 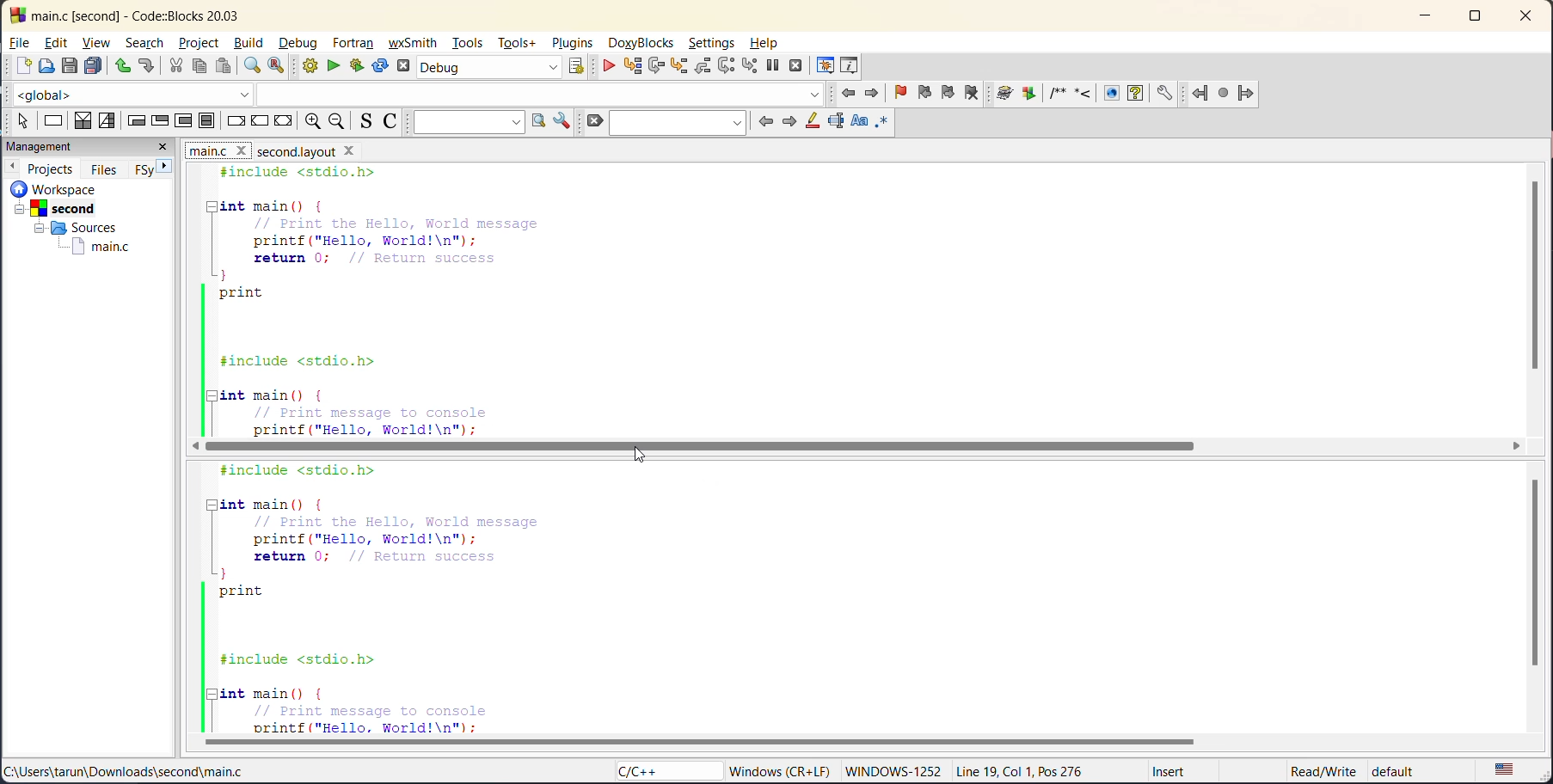 What do you see at coordinates (1321, 769) in the screenshot?
I see `Read/Write` at bounding box center [1321, 769].